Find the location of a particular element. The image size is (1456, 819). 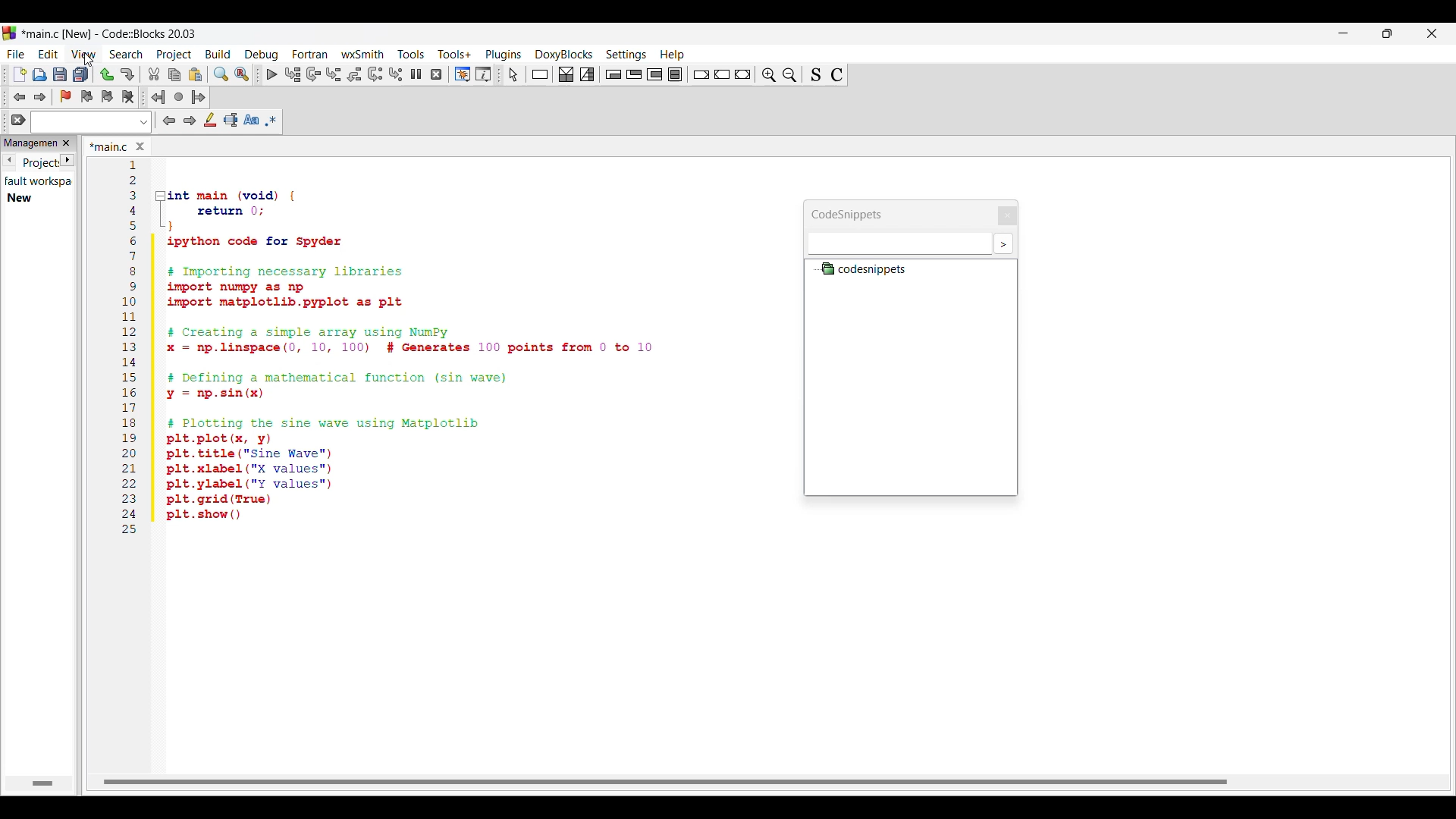

Fortran menu is located at coordinates (309, 54).